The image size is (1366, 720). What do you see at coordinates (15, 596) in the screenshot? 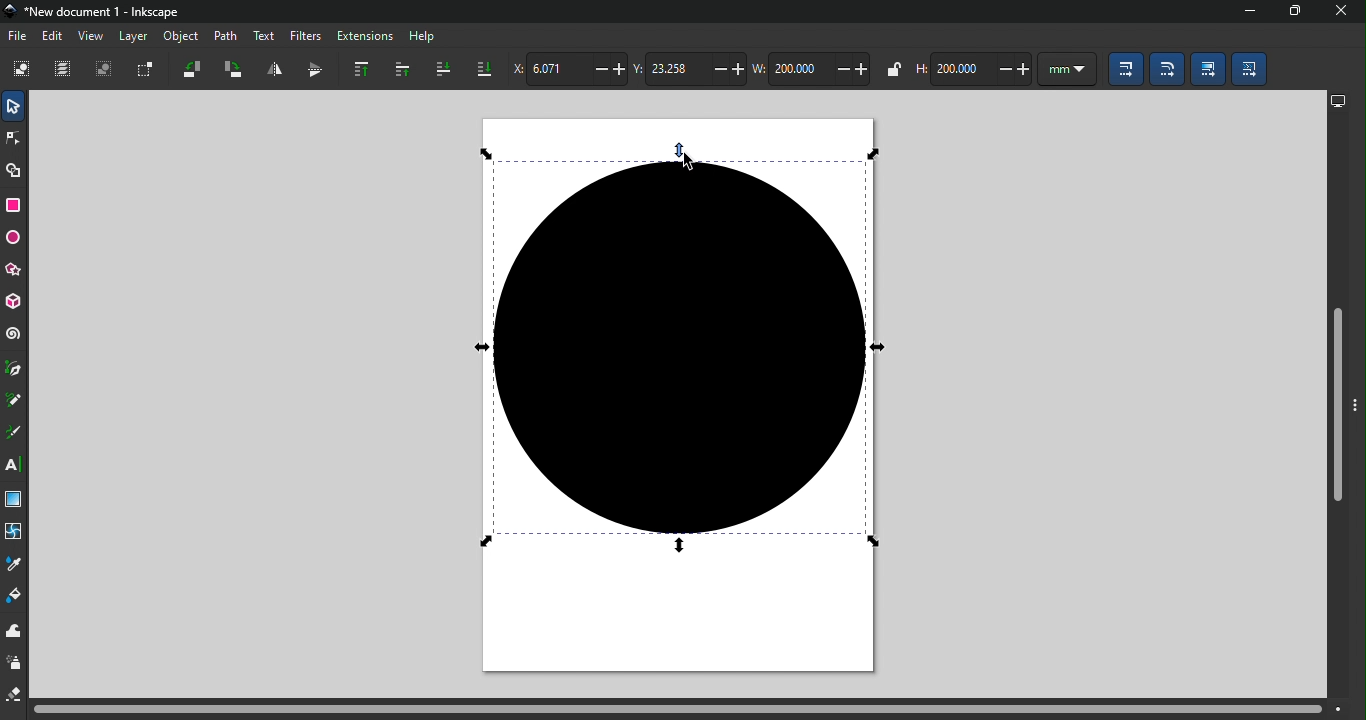
I see `Paint bucket` at bounding box center [15, 596].